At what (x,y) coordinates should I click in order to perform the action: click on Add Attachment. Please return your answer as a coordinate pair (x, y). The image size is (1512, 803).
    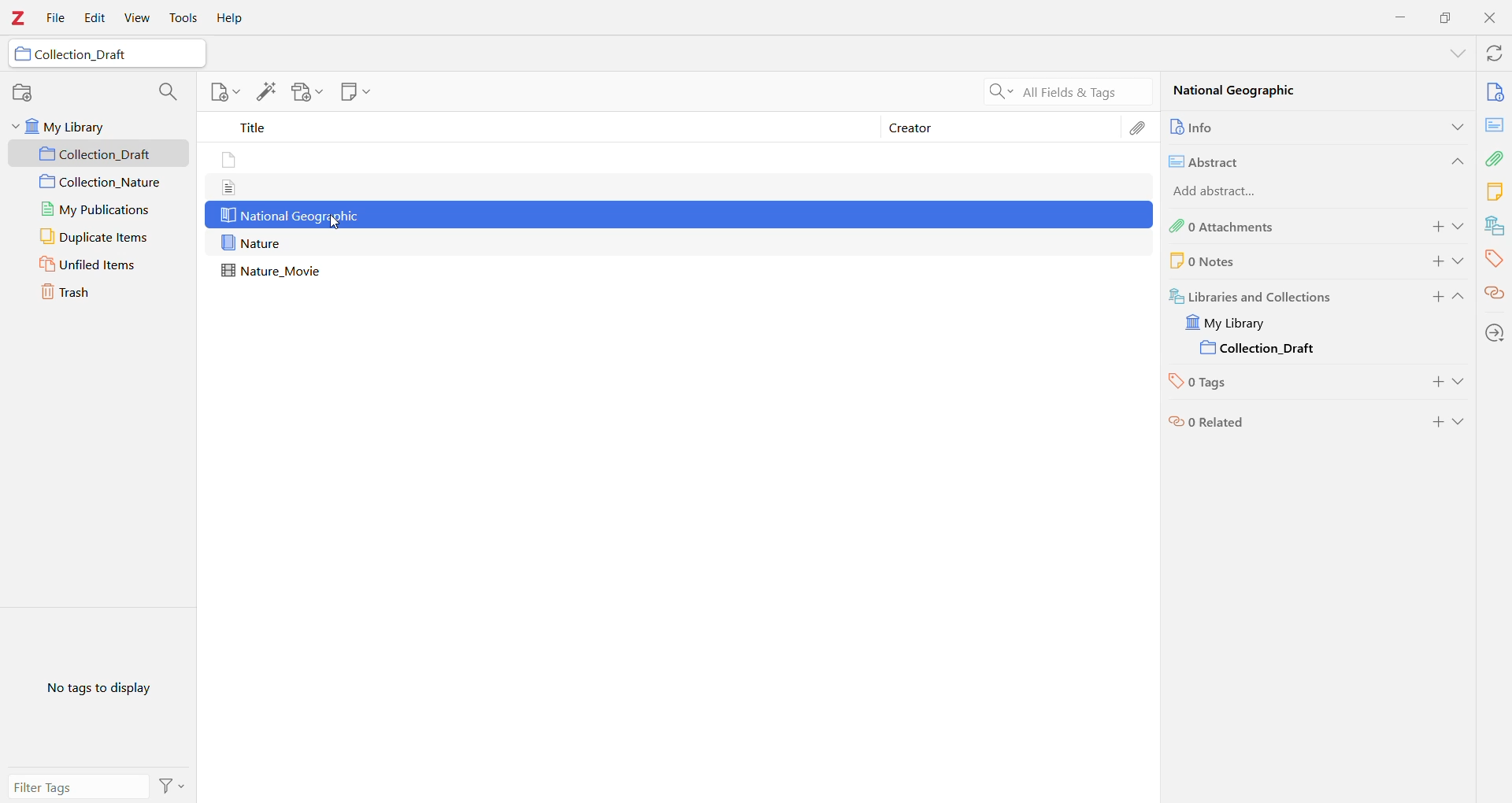
    Looking at the image, I should click on (303, 92).